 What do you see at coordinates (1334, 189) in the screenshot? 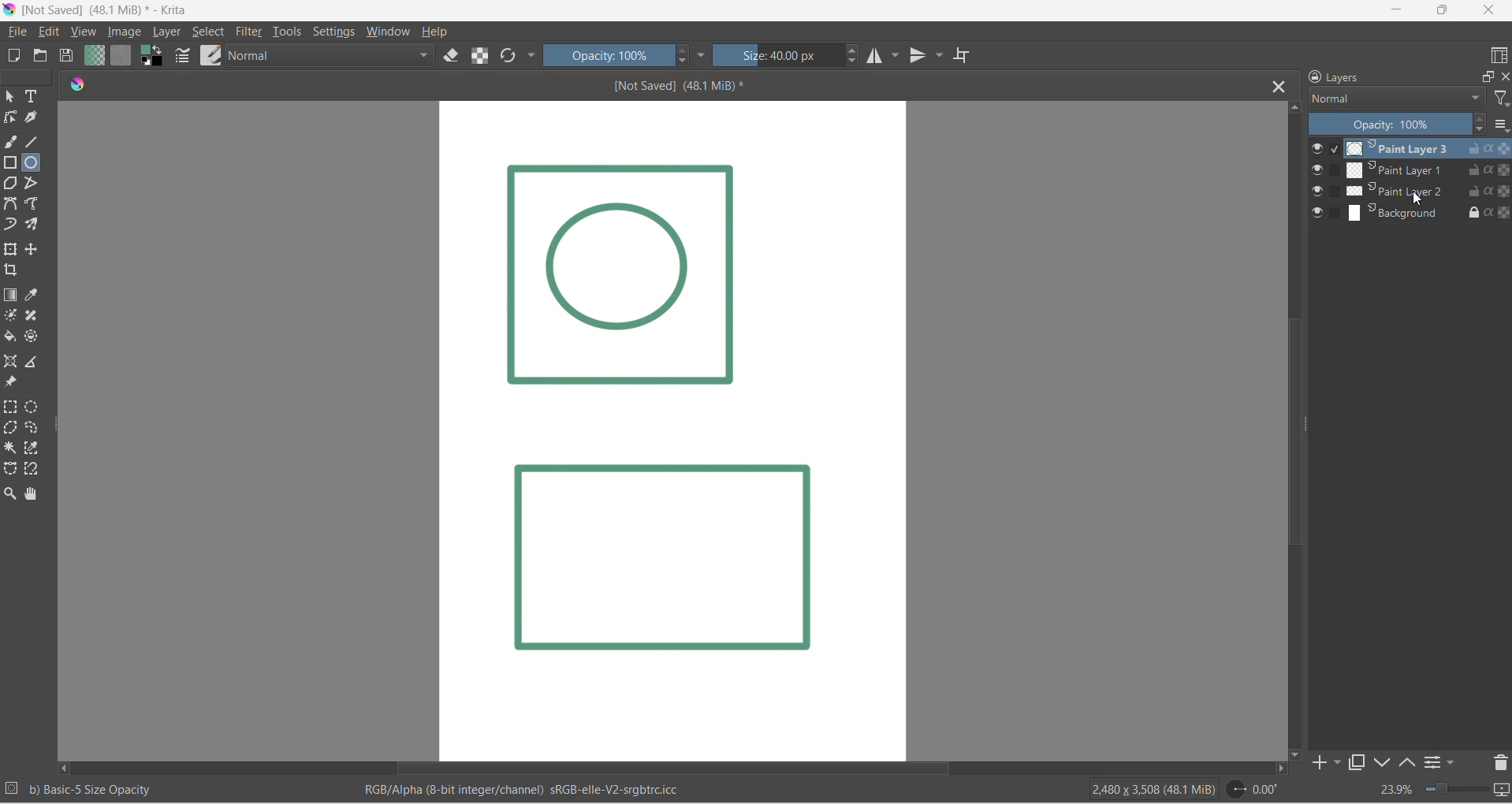
I see `checkbox` at bounding box center [1334, 189].